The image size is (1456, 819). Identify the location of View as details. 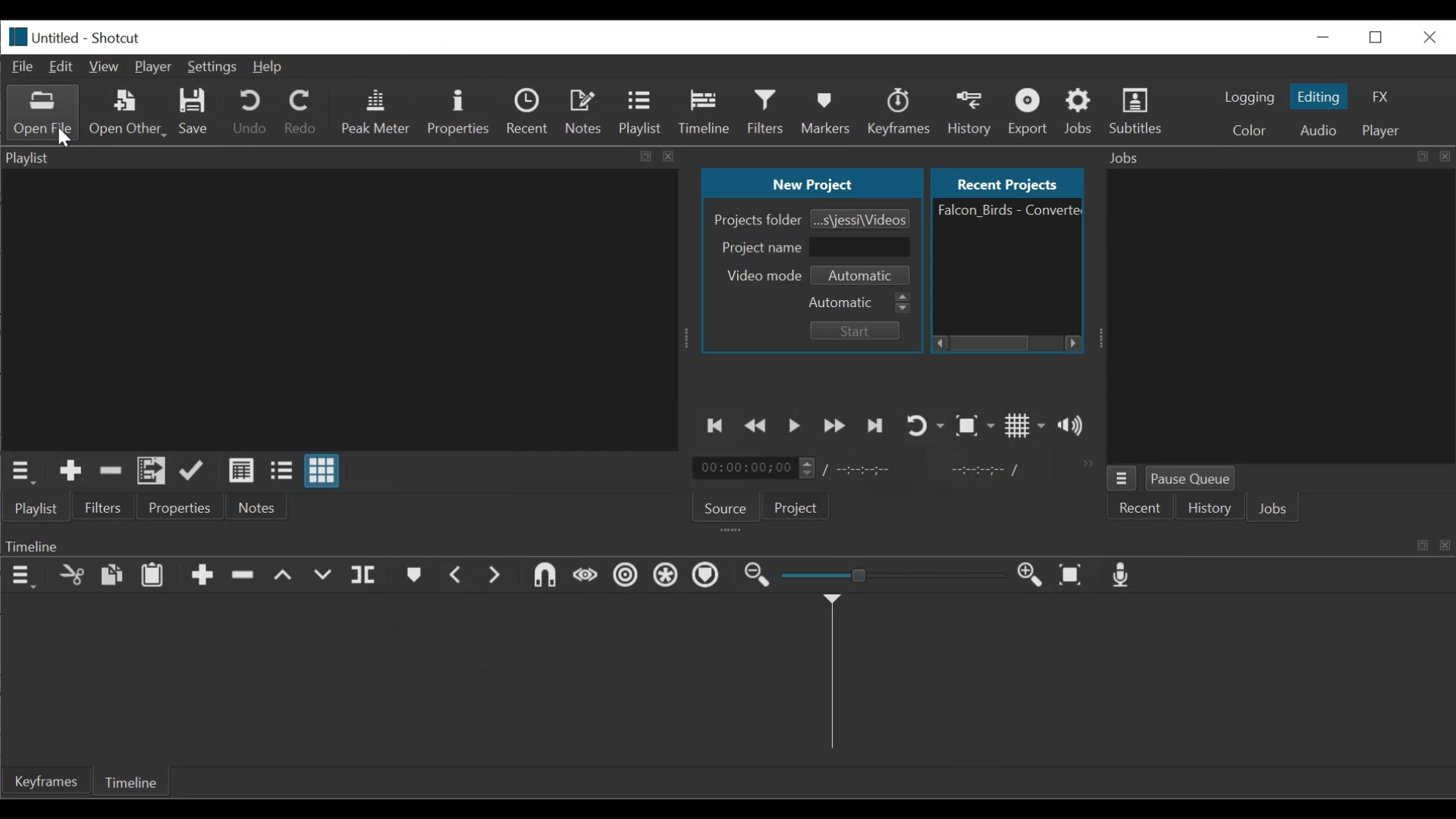
(243, 472).